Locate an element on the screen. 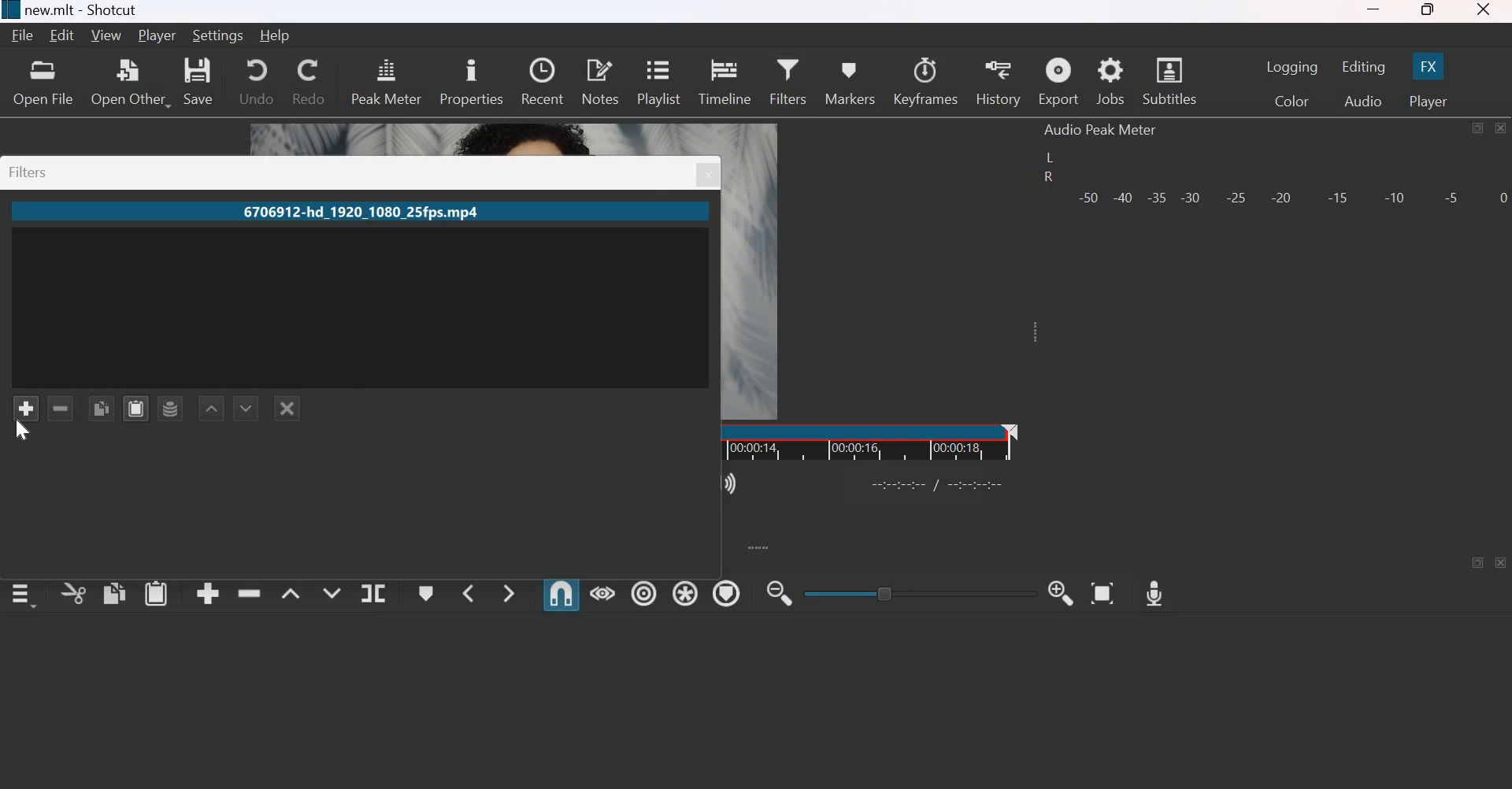 This screenshot has width=1512, height=789. Volume meter is located at coordinates (1291, 195).